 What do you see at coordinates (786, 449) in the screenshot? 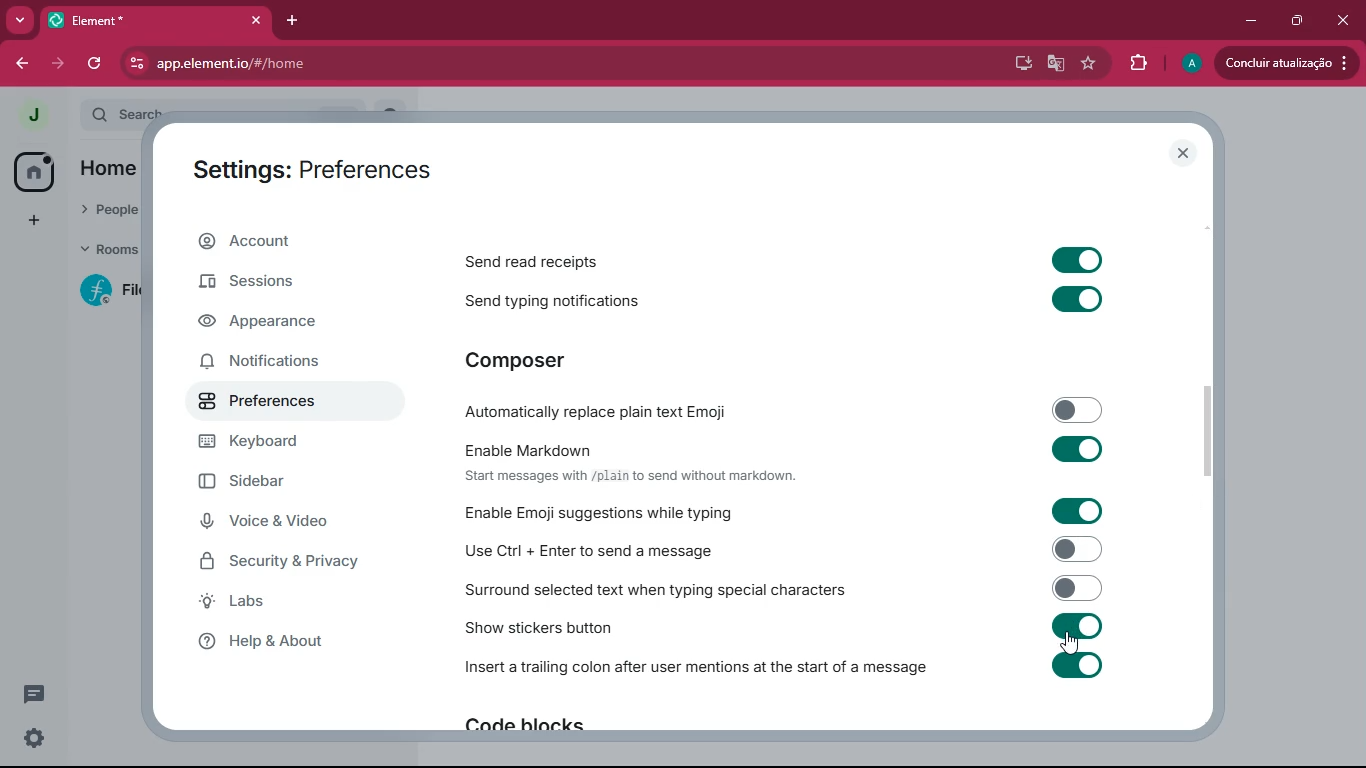
I see `Enable Markdown` at bounding box center [786, 449].